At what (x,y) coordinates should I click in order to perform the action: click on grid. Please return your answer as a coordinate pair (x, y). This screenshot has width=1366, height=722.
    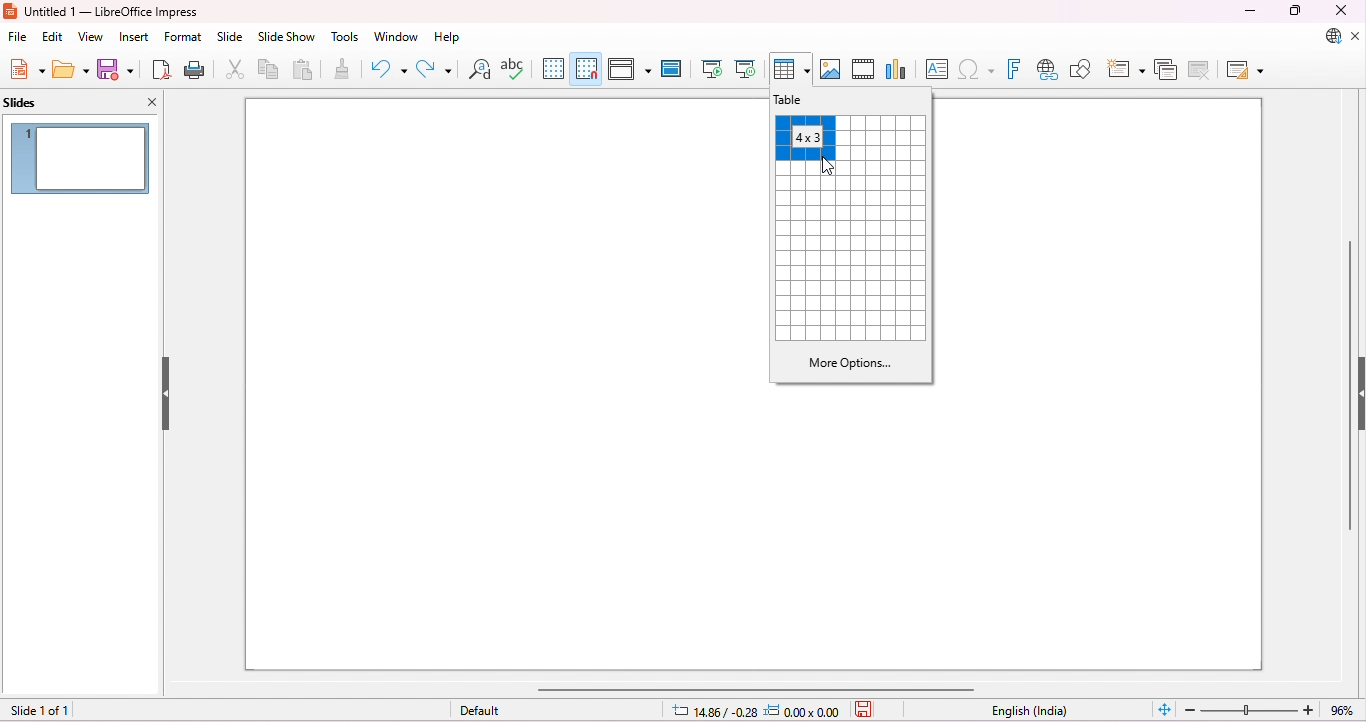
    Looking at the image, I should click on (553, 67).